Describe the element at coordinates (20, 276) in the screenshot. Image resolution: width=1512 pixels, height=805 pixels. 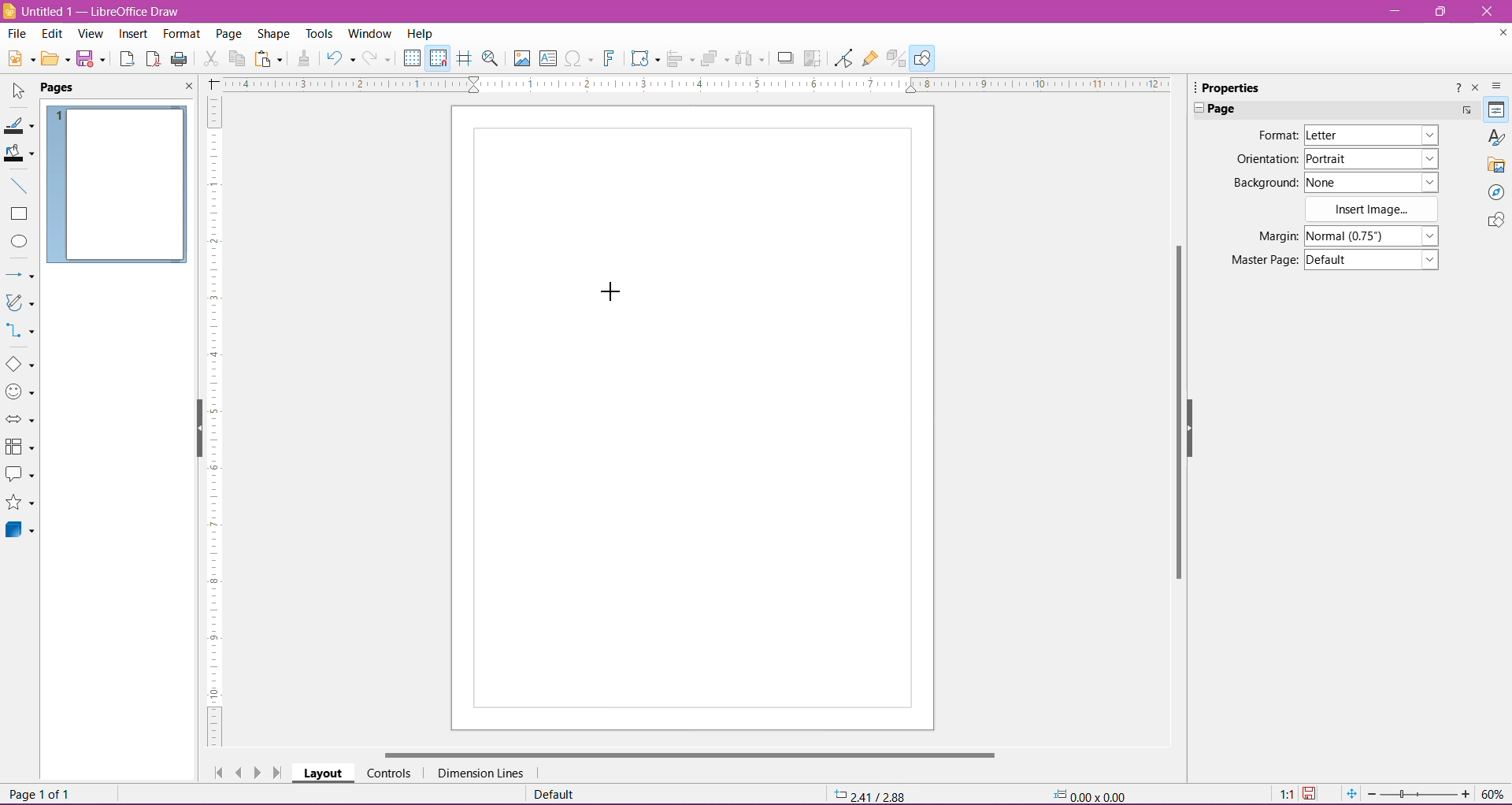
I see `Lines and Arrows` at that location.